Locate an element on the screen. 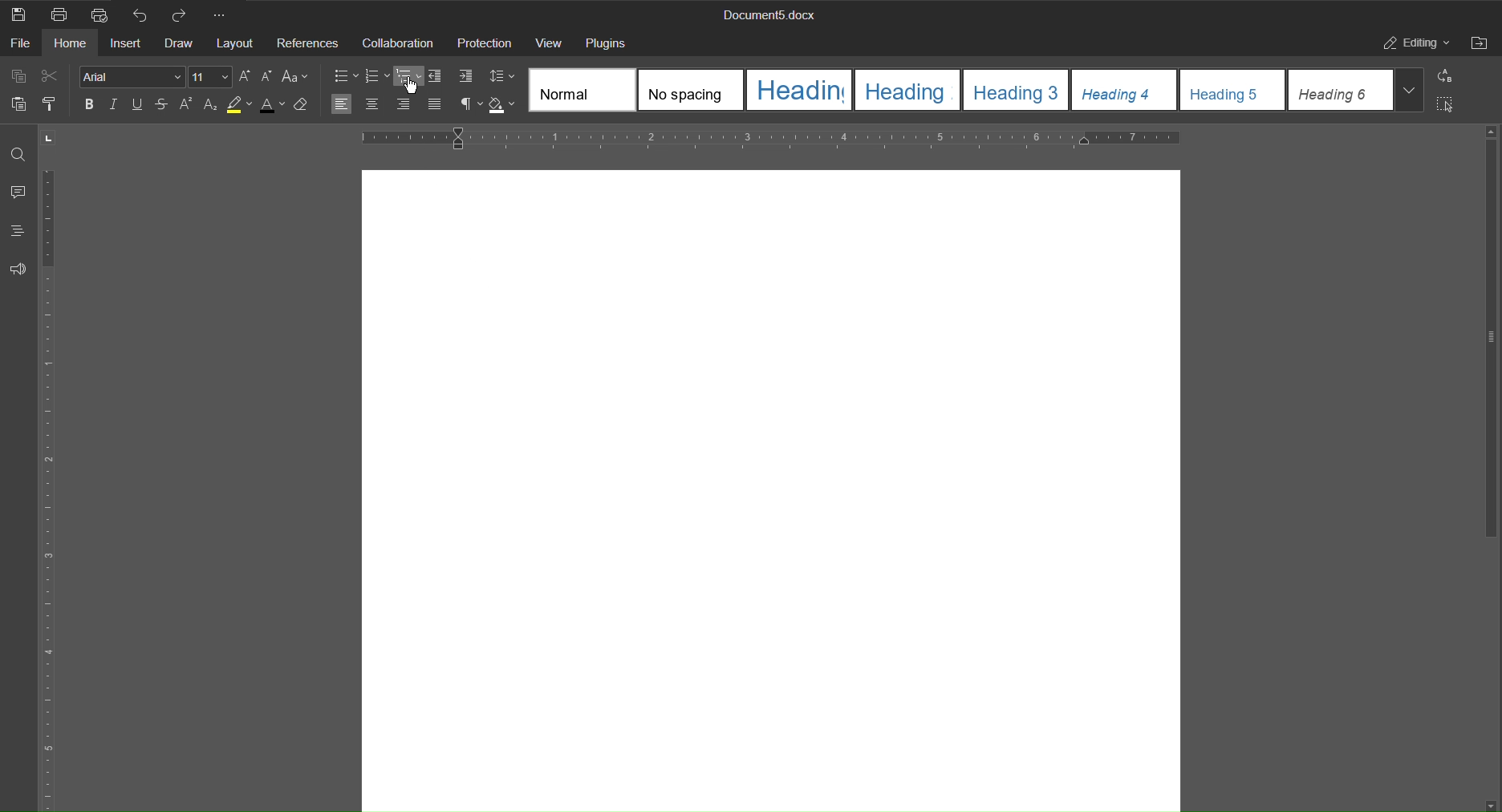 Image resolution: width=1502 pixels, height=812 pixels. Font Style is located at coordinates (132, 76).